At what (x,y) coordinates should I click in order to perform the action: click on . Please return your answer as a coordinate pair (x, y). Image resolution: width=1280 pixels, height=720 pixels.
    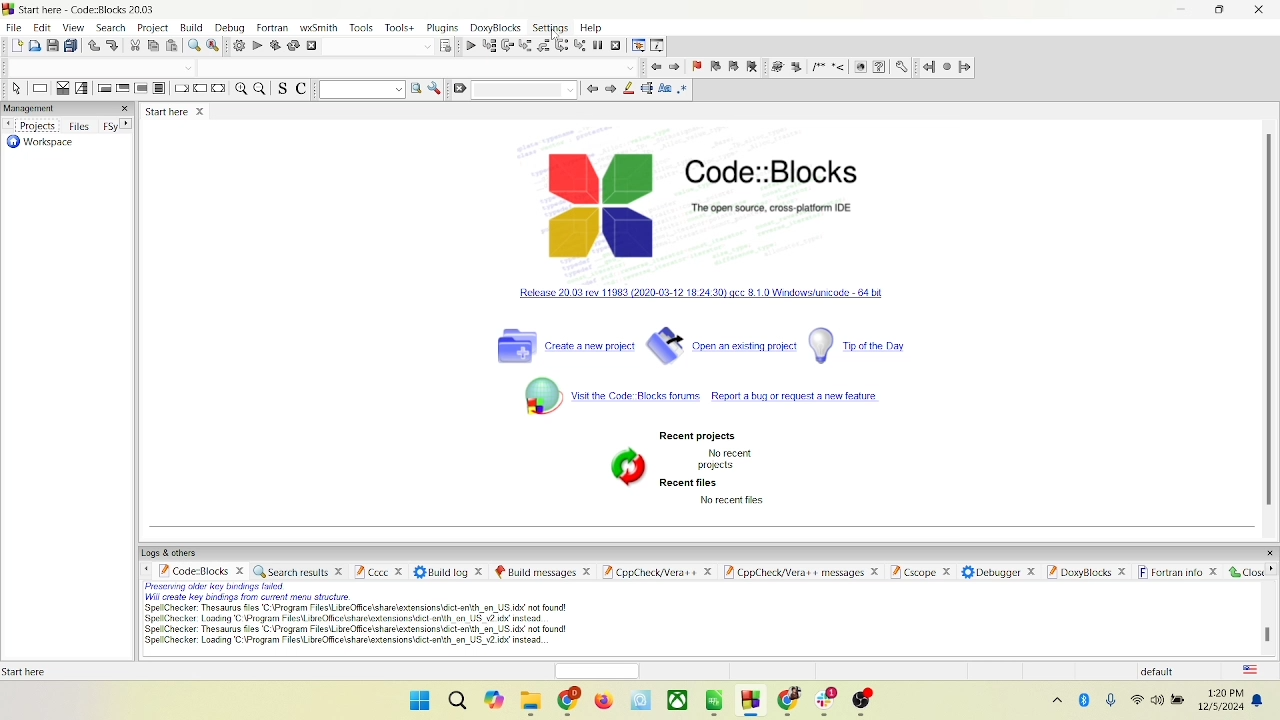
    Looking at the image, I should click on (381, 570).